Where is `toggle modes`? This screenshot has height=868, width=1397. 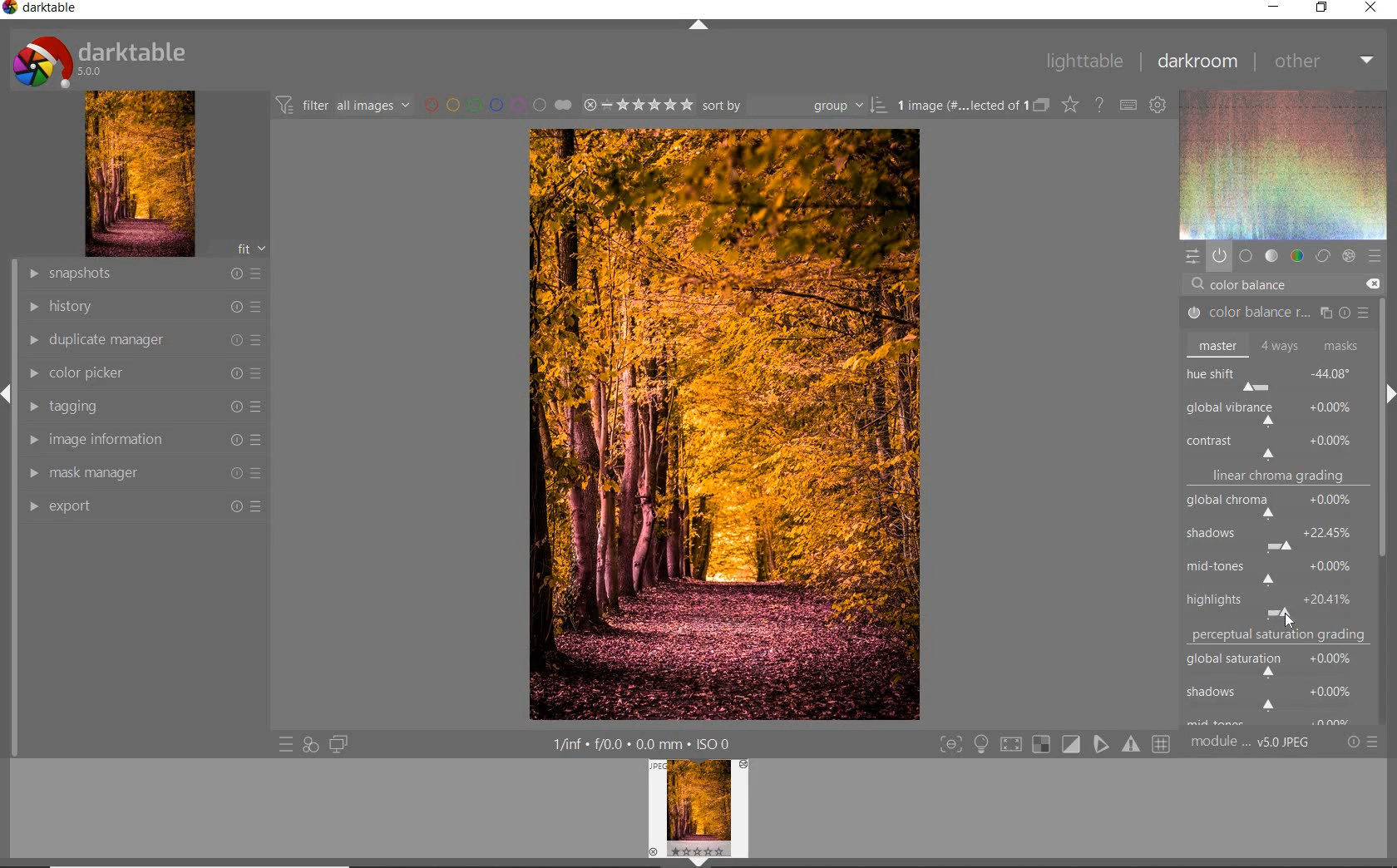 toggle modes is located at coordinates (1051, 744).